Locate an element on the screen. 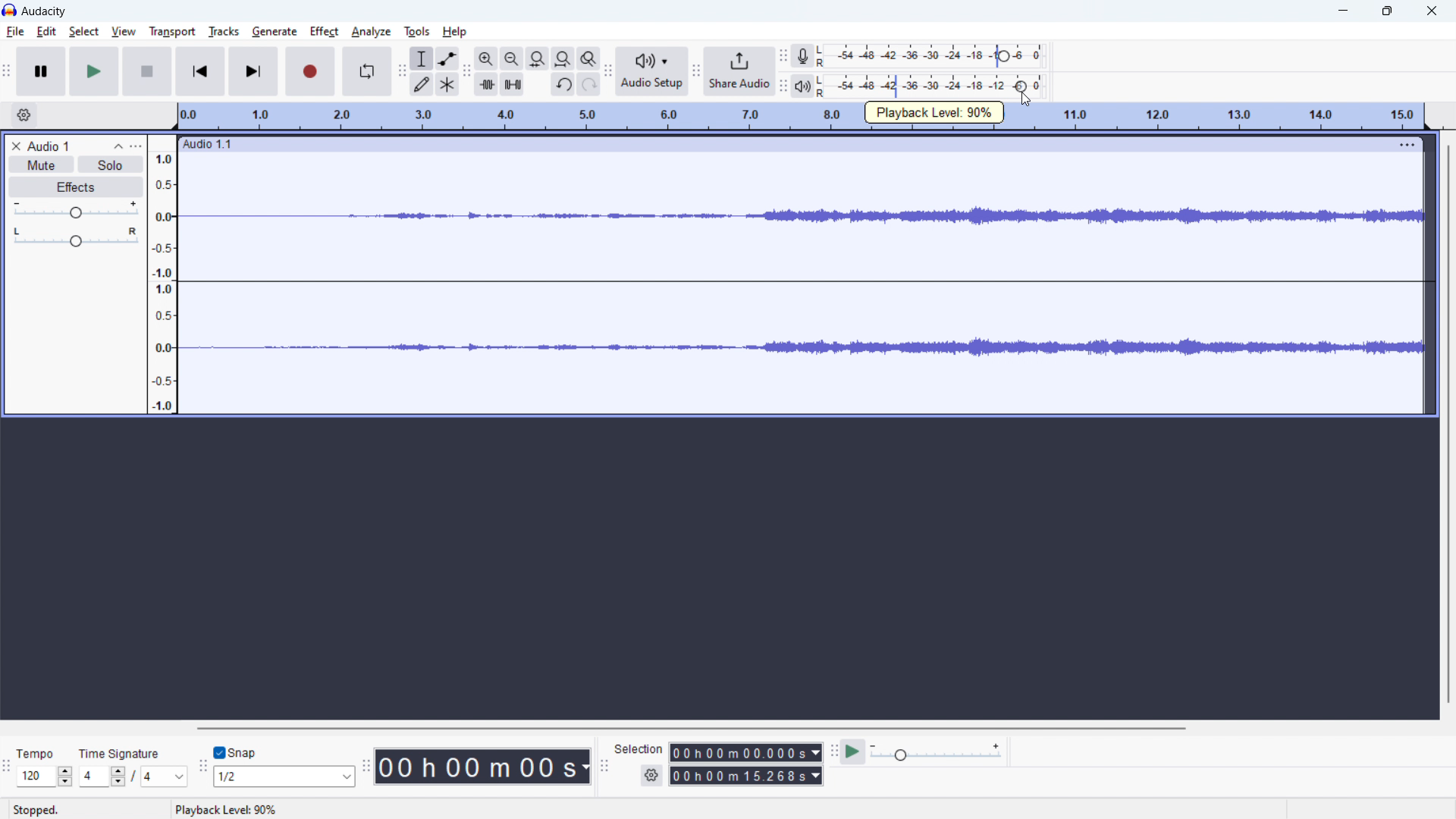  select tempo is located at coordinates (45, 777).